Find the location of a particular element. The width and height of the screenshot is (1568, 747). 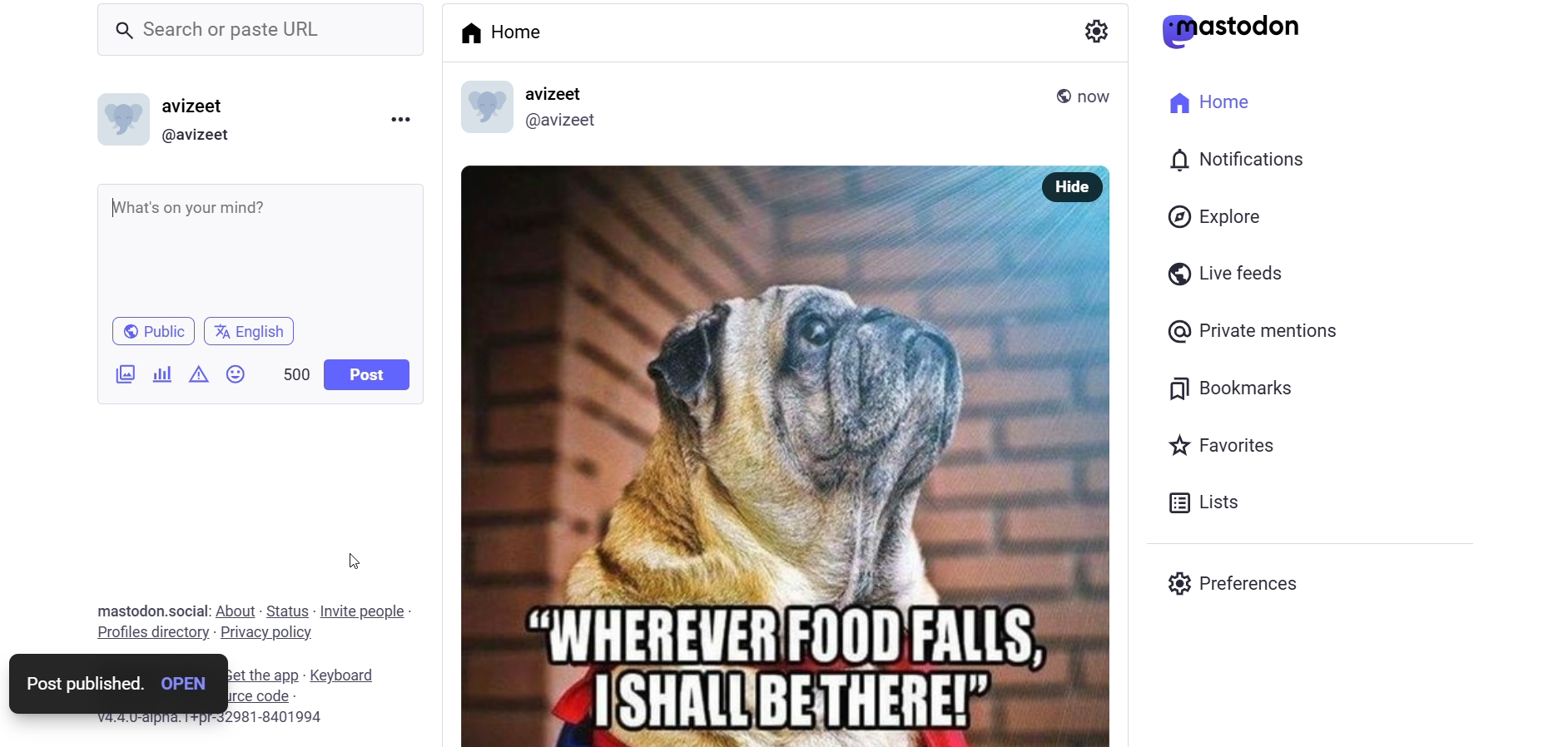

ENGLISH is located at coordinates (261, 329).